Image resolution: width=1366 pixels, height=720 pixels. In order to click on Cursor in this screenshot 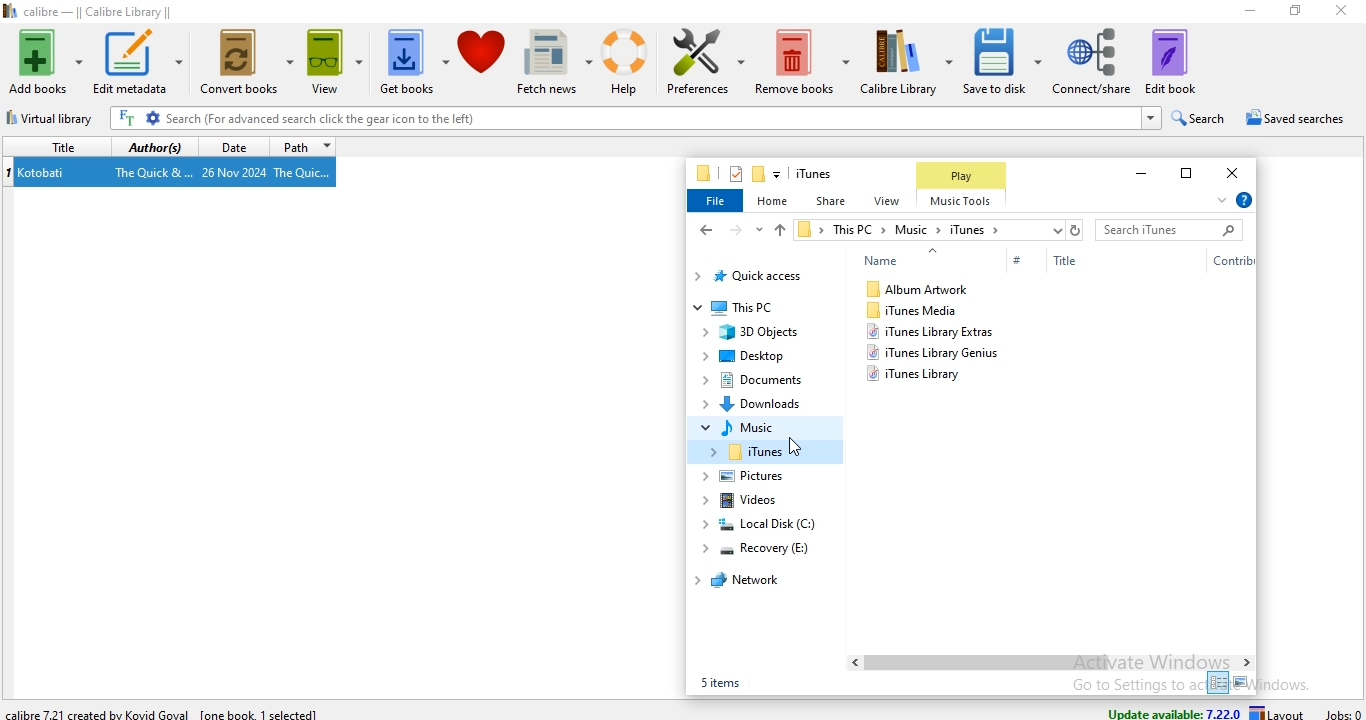, I will do `click(793, 449)`.